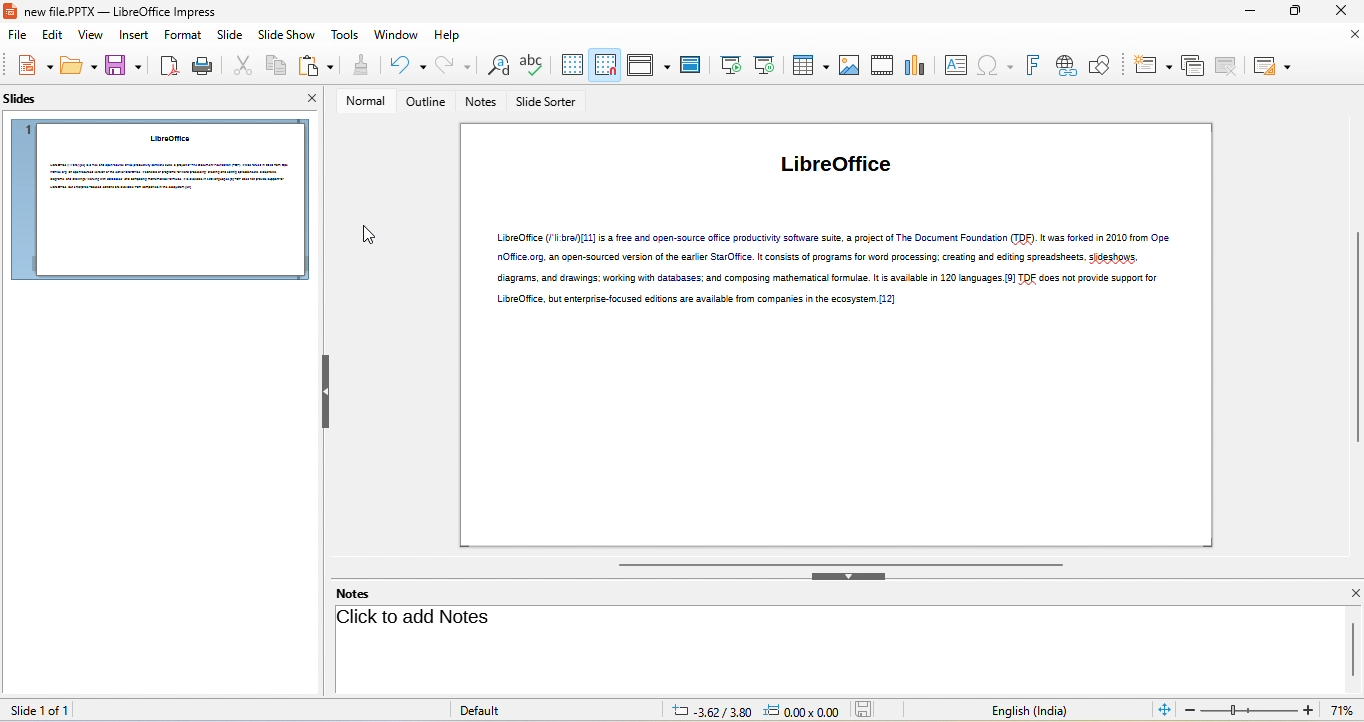  What do you see at coordinates (690, 66) in the screenshot?
I see `master slide` at bounding box center [690, 66].